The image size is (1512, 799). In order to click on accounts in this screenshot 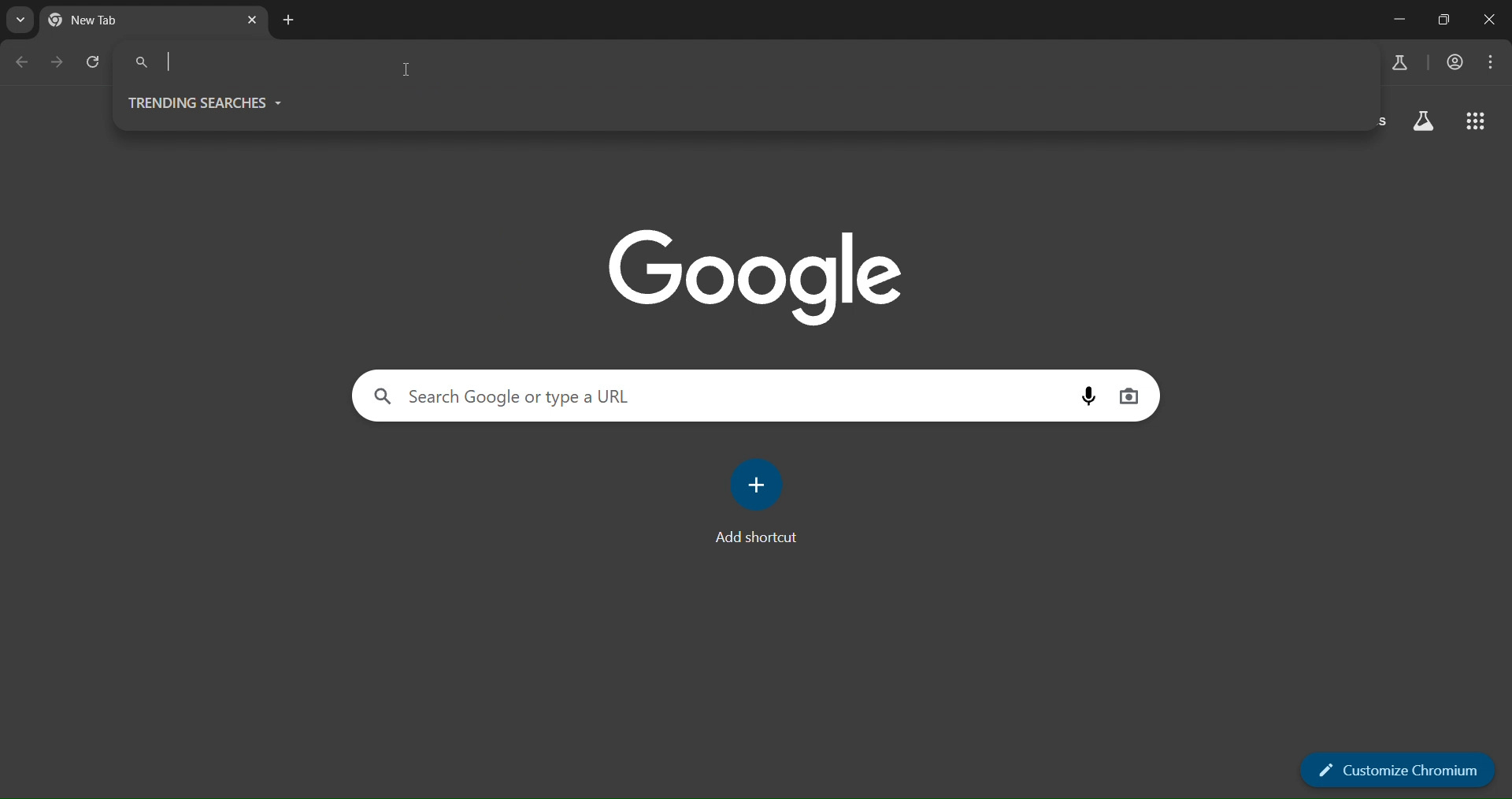, I will do `click(1455, 62)`.